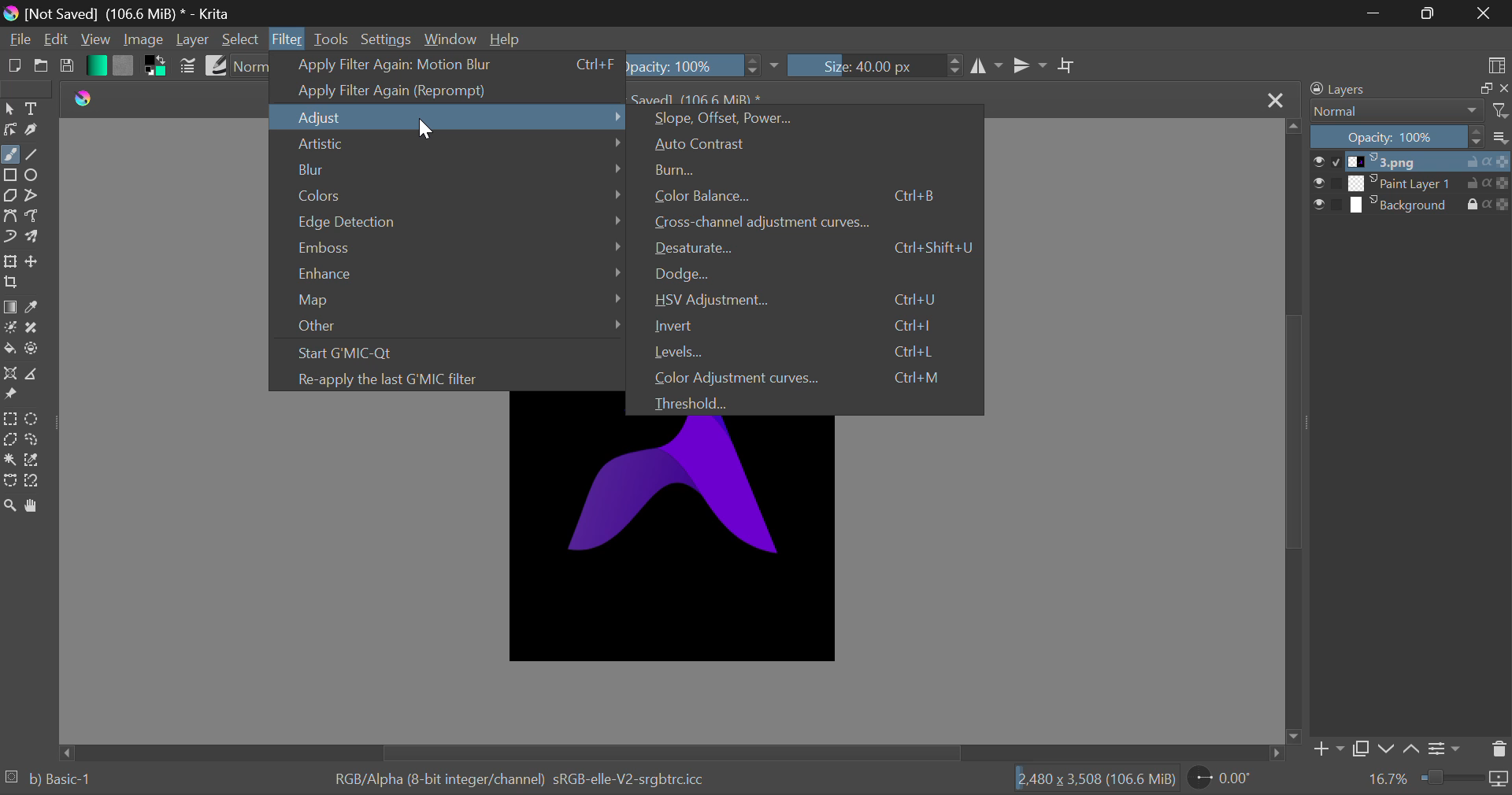  What do you see at coordinates (447, 65) in the screenshot?
I see `Apply Filter Again` at bounding box center [447, 65].